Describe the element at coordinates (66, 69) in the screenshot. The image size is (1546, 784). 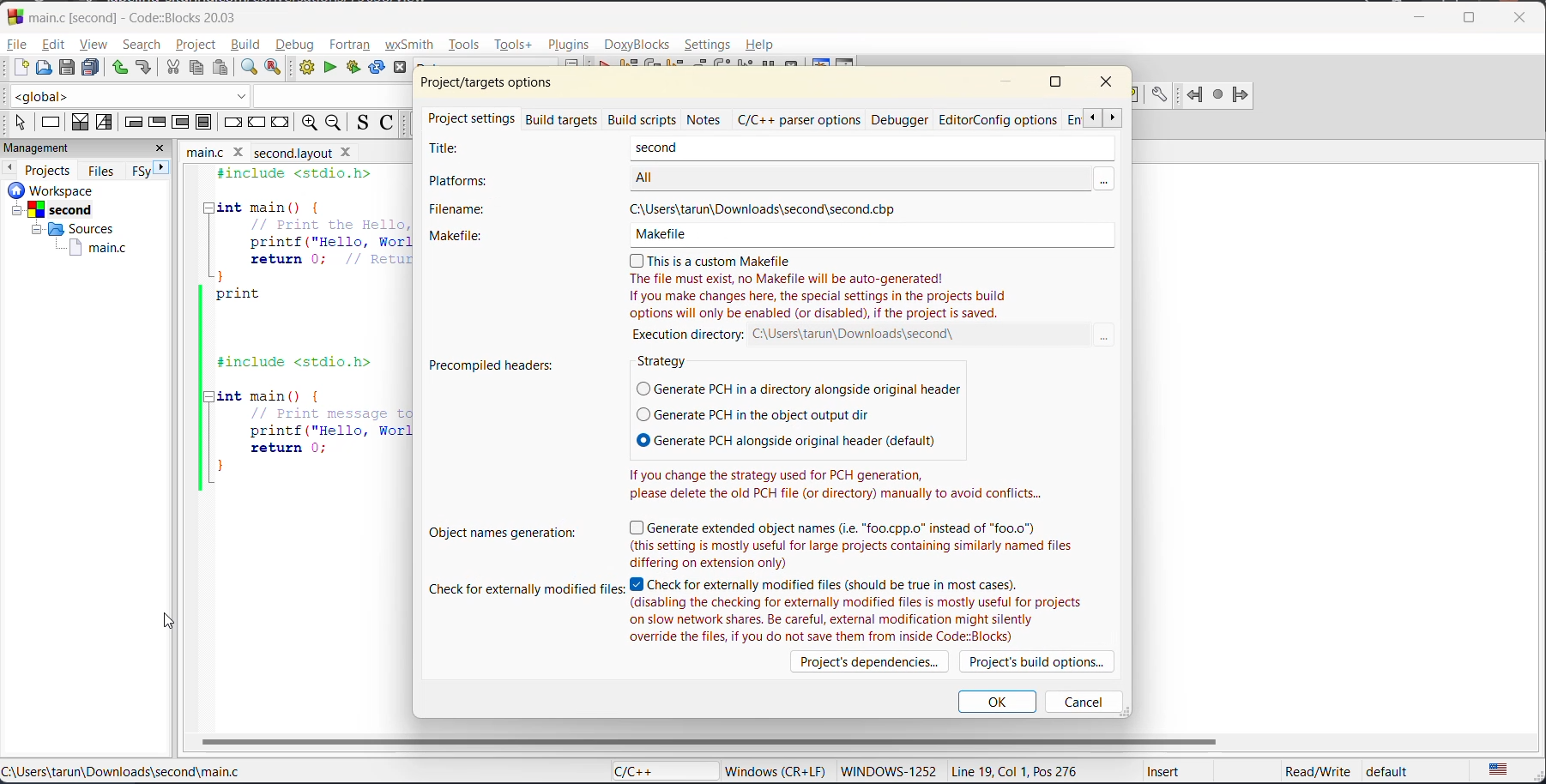
I see `save` at that location.